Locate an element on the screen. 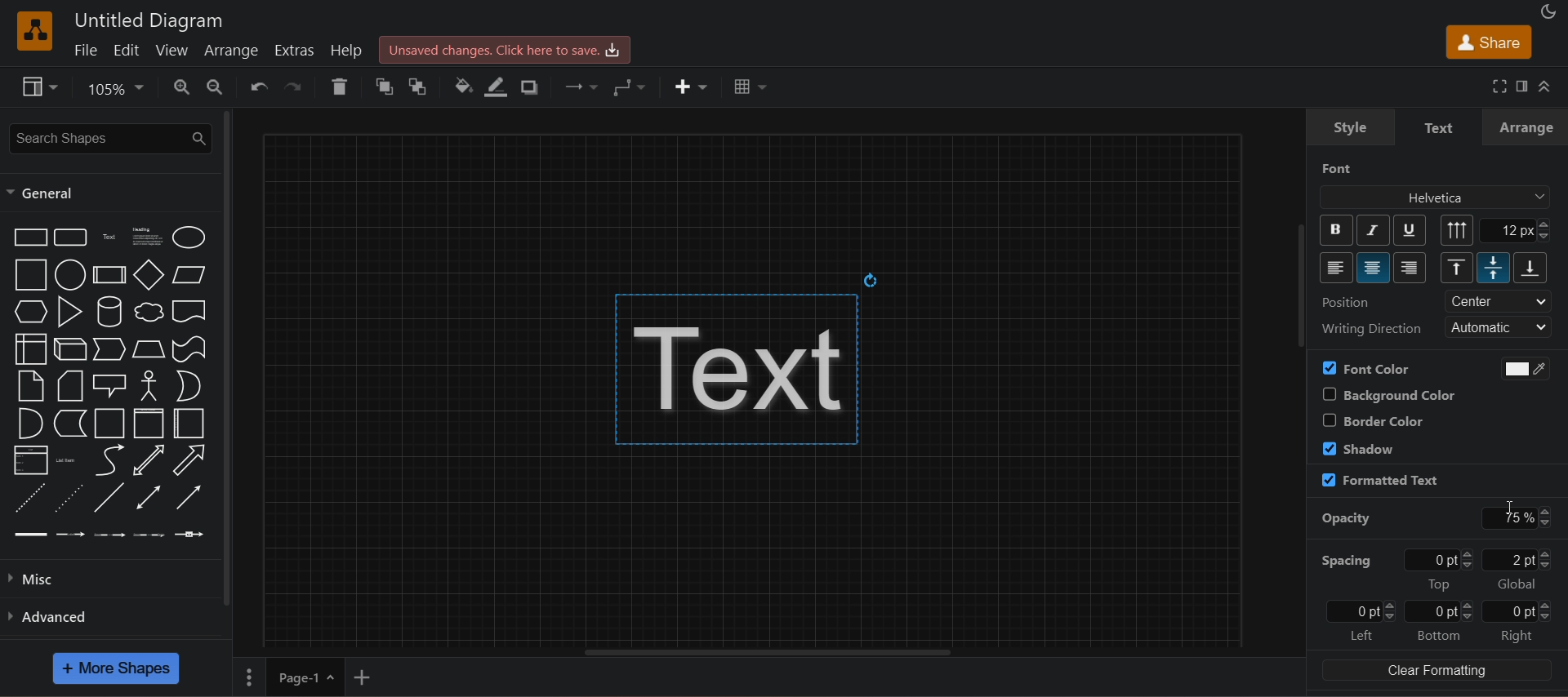  automatic is located at coordinates (1501, 327).